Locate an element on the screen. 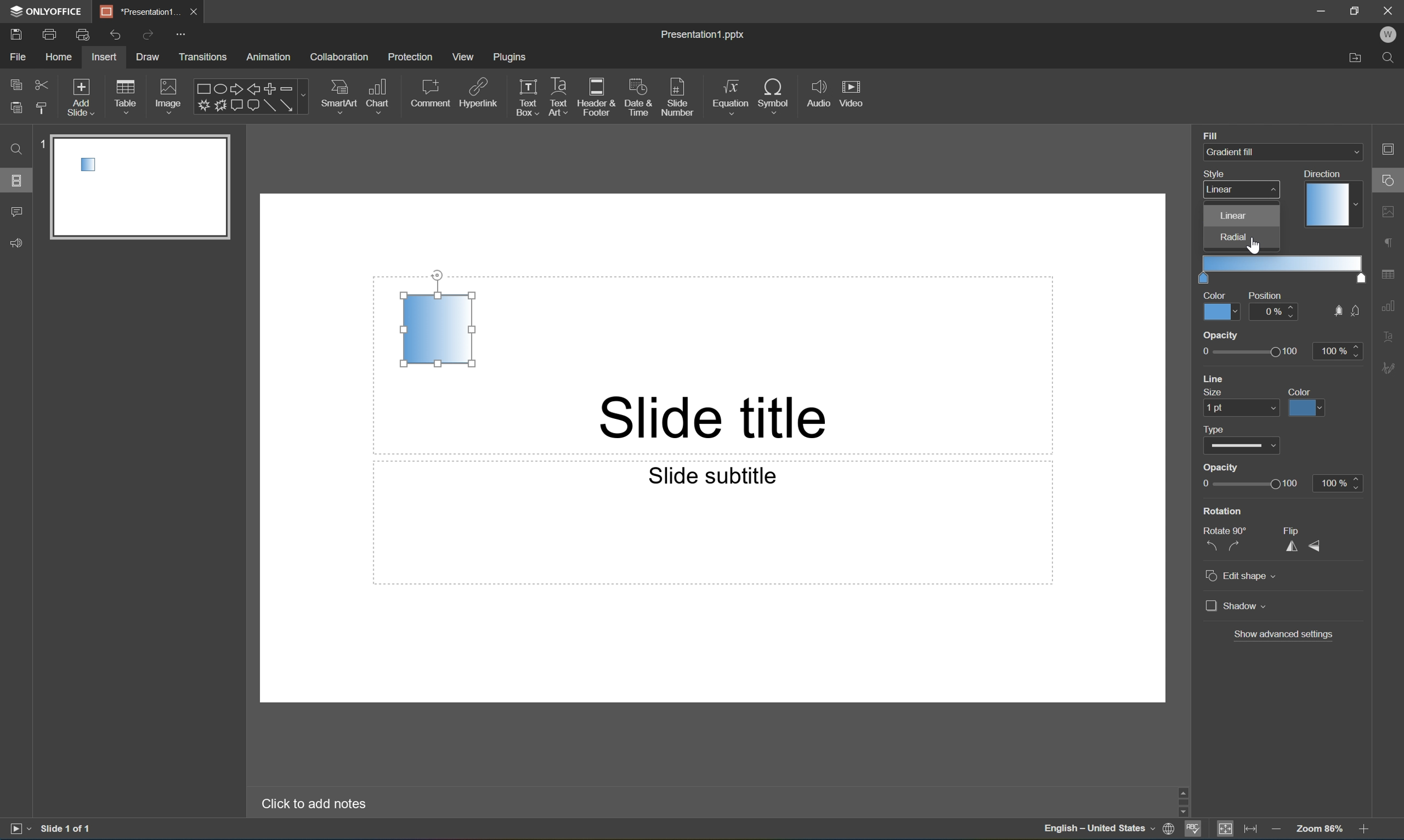 This screenshot has width=1404, height=840. Protection is located at coordinates (410, 57).